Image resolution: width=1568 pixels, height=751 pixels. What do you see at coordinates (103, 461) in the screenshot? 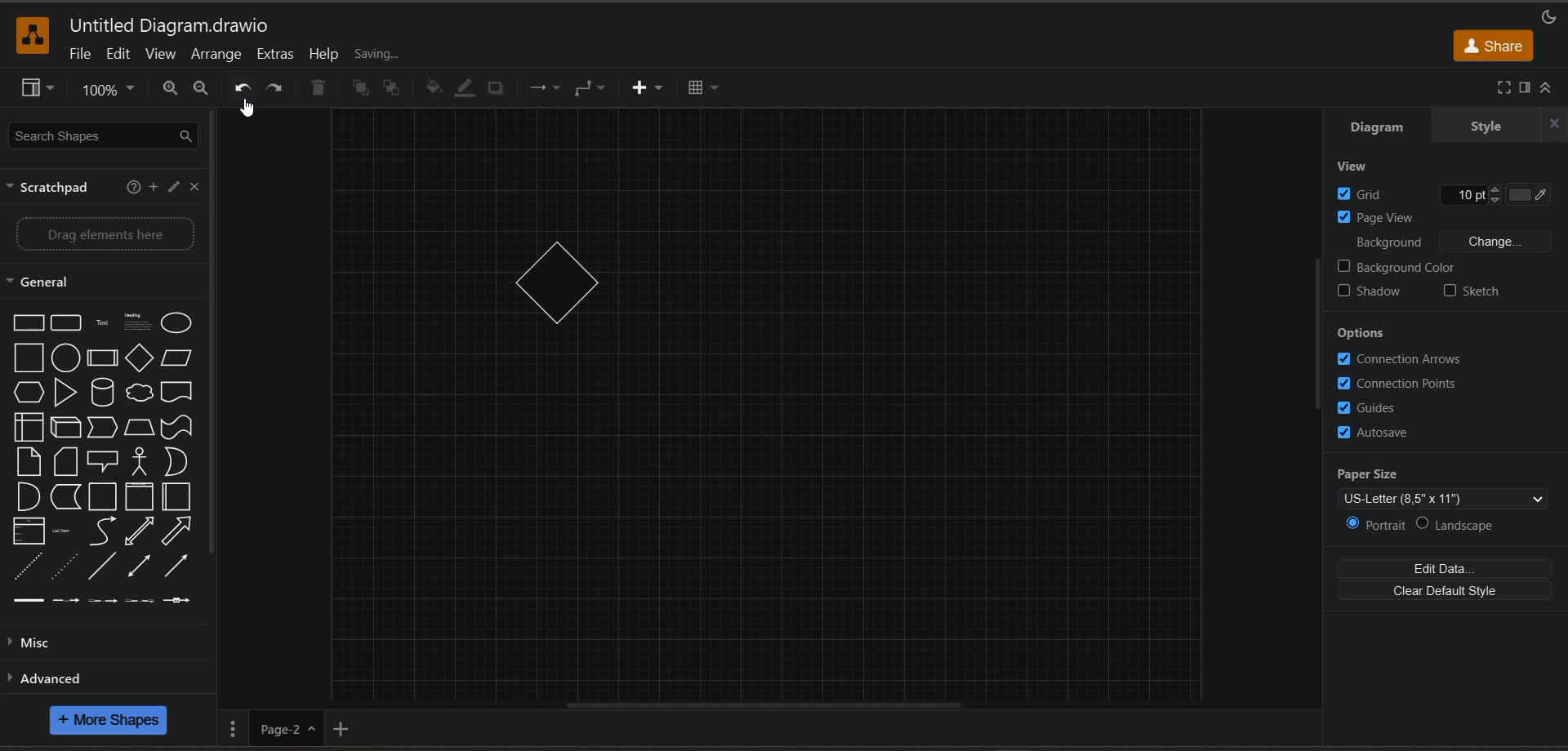
I see `Callout` at bounding box center [103, 461].